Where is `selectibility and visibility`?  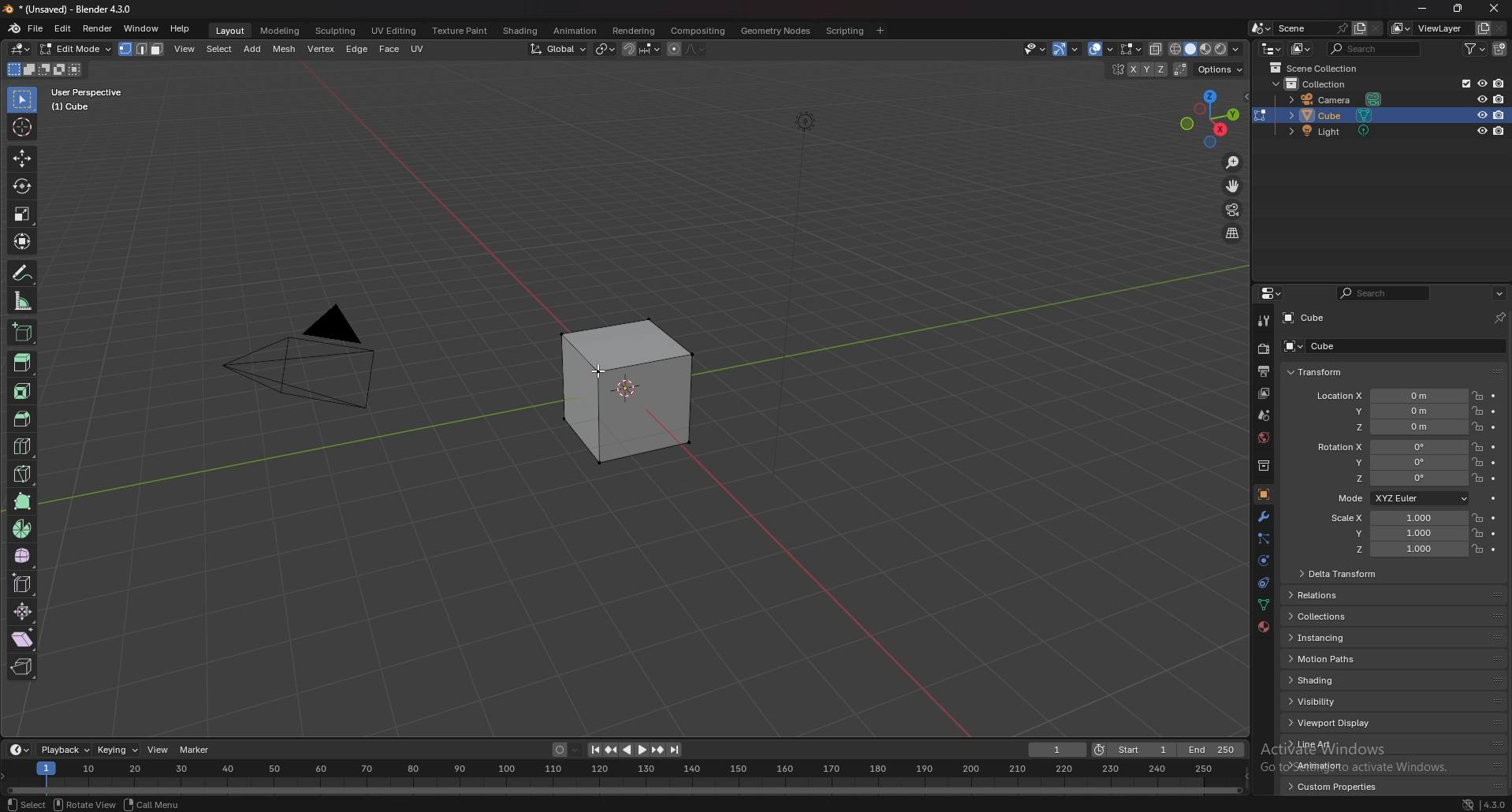
selectibility and visibility is located at coordinates (1061, 50).